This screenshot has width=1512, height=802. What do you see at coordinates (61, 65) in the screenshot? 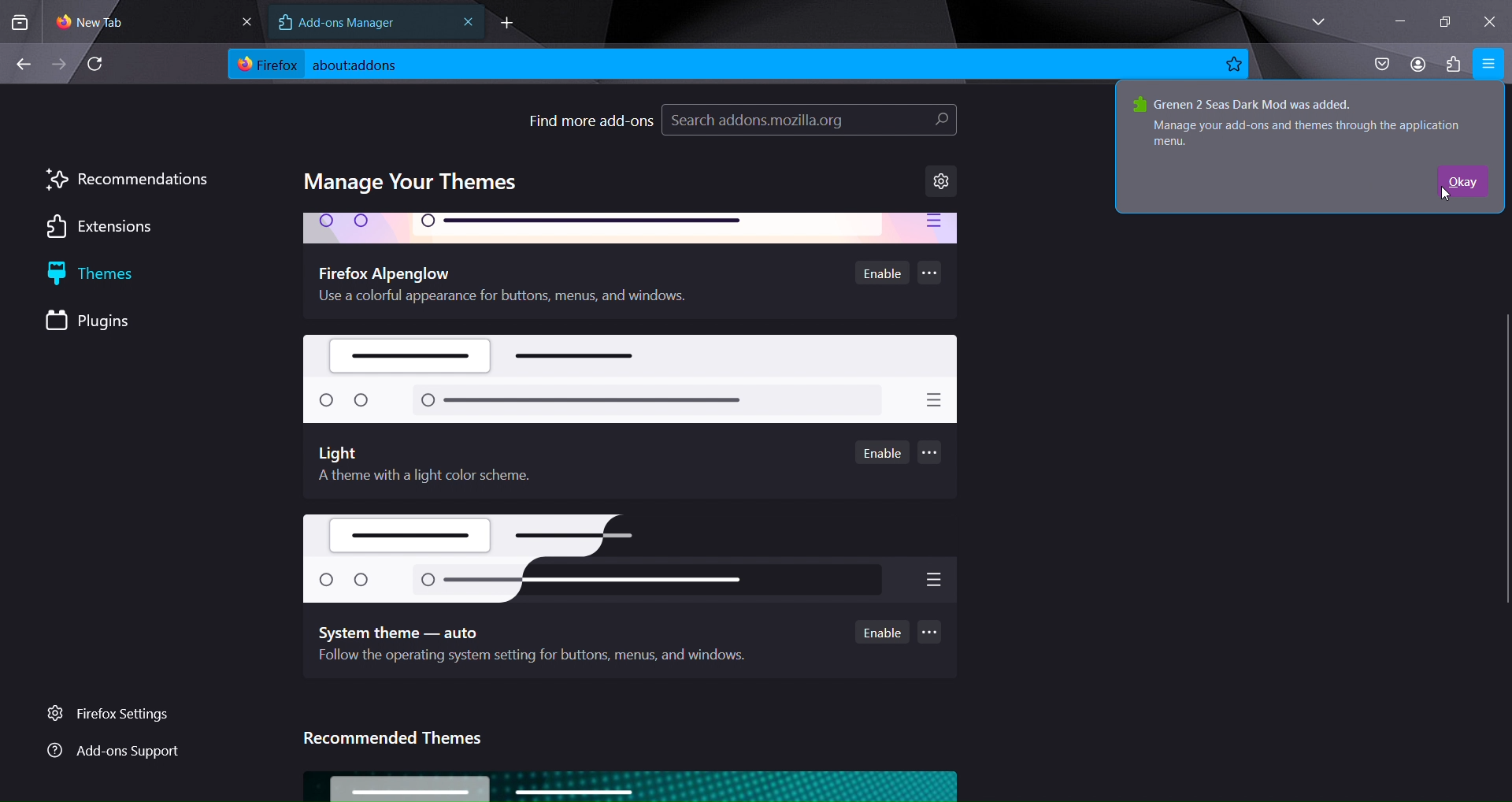
I see `go forward one page` at bounding box center [61, 65].